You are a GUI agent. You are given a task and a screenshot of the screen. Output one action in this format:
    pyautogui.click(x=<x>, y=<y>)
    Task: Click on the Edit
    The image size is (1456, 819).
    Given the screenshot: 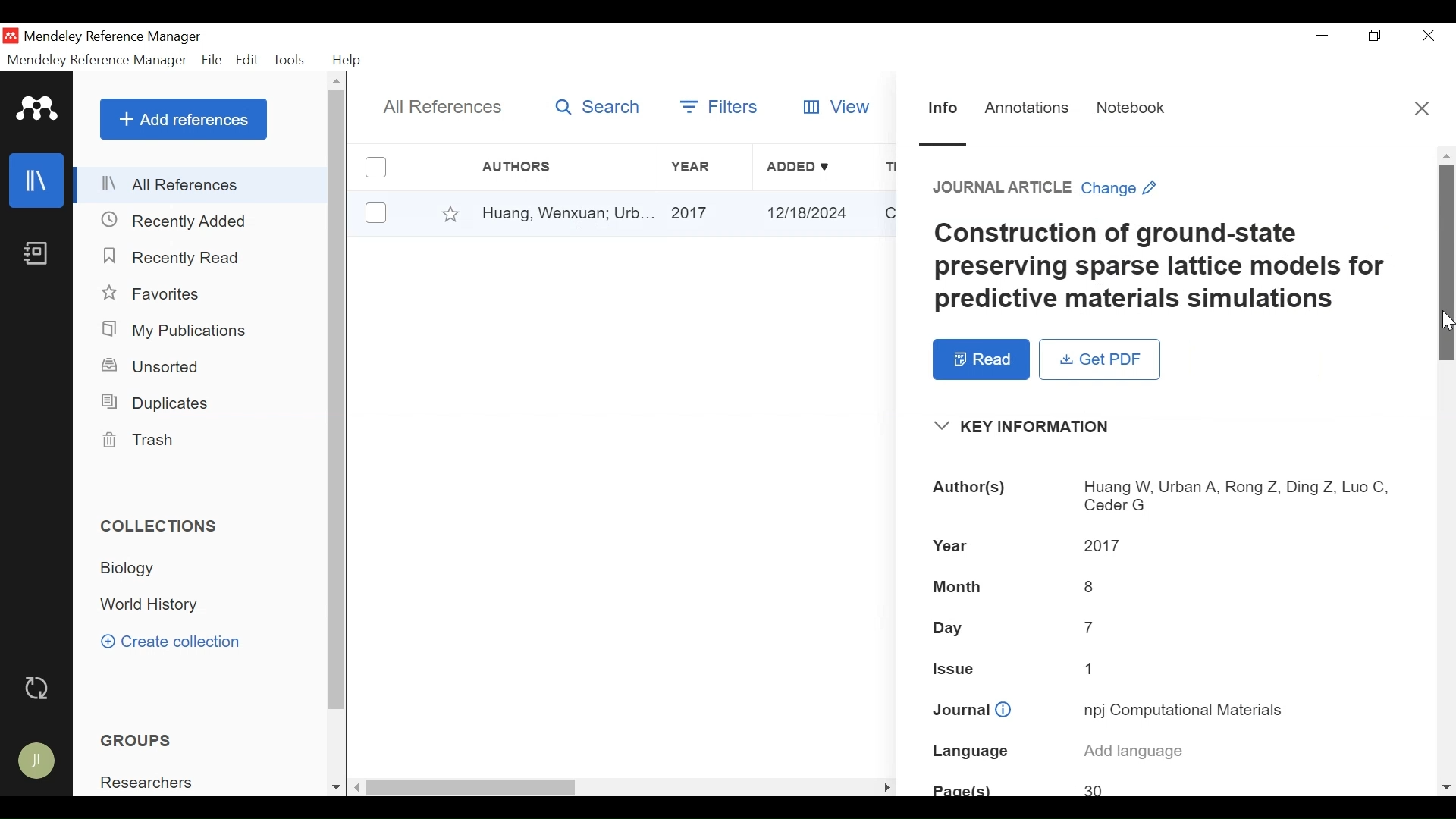 What is the action you would take?
    pyautogui.click(x=248, y=61)
    